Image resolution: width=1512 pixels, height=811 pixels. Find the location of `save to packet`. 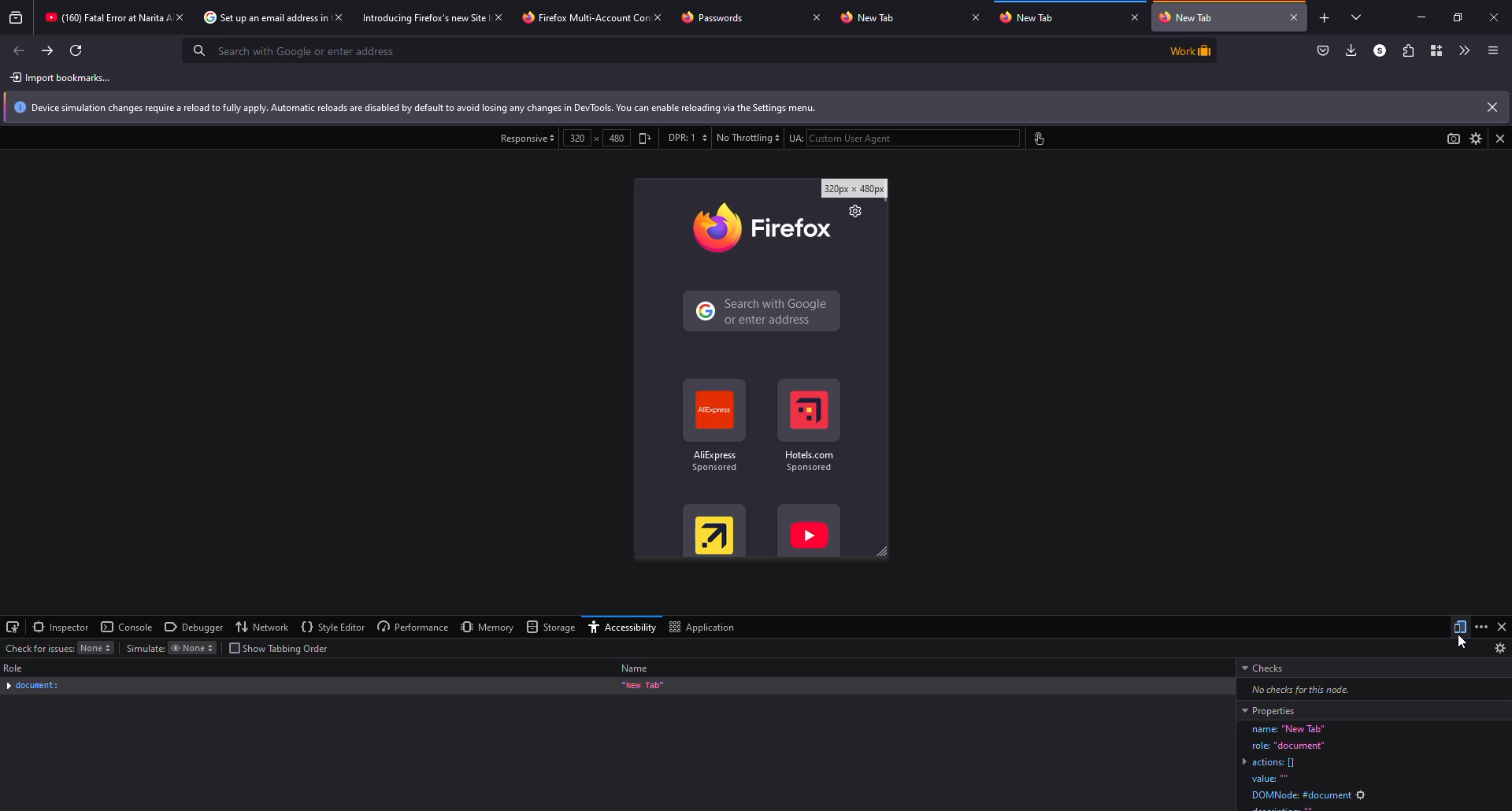

save to packet is located at coordinates (1323, 51).